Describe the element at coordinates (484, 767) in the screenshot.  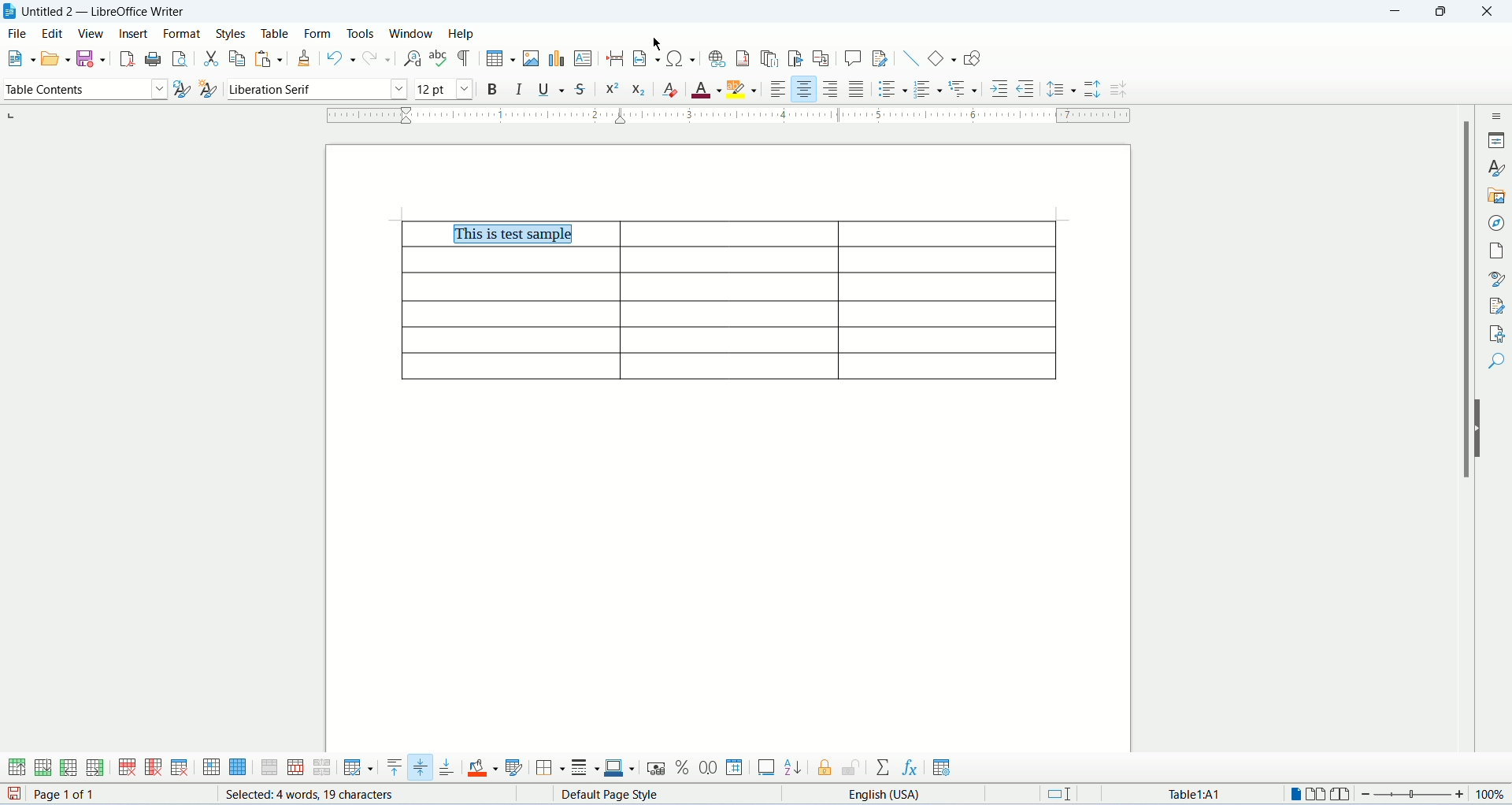
I see `cell background color` at that location.